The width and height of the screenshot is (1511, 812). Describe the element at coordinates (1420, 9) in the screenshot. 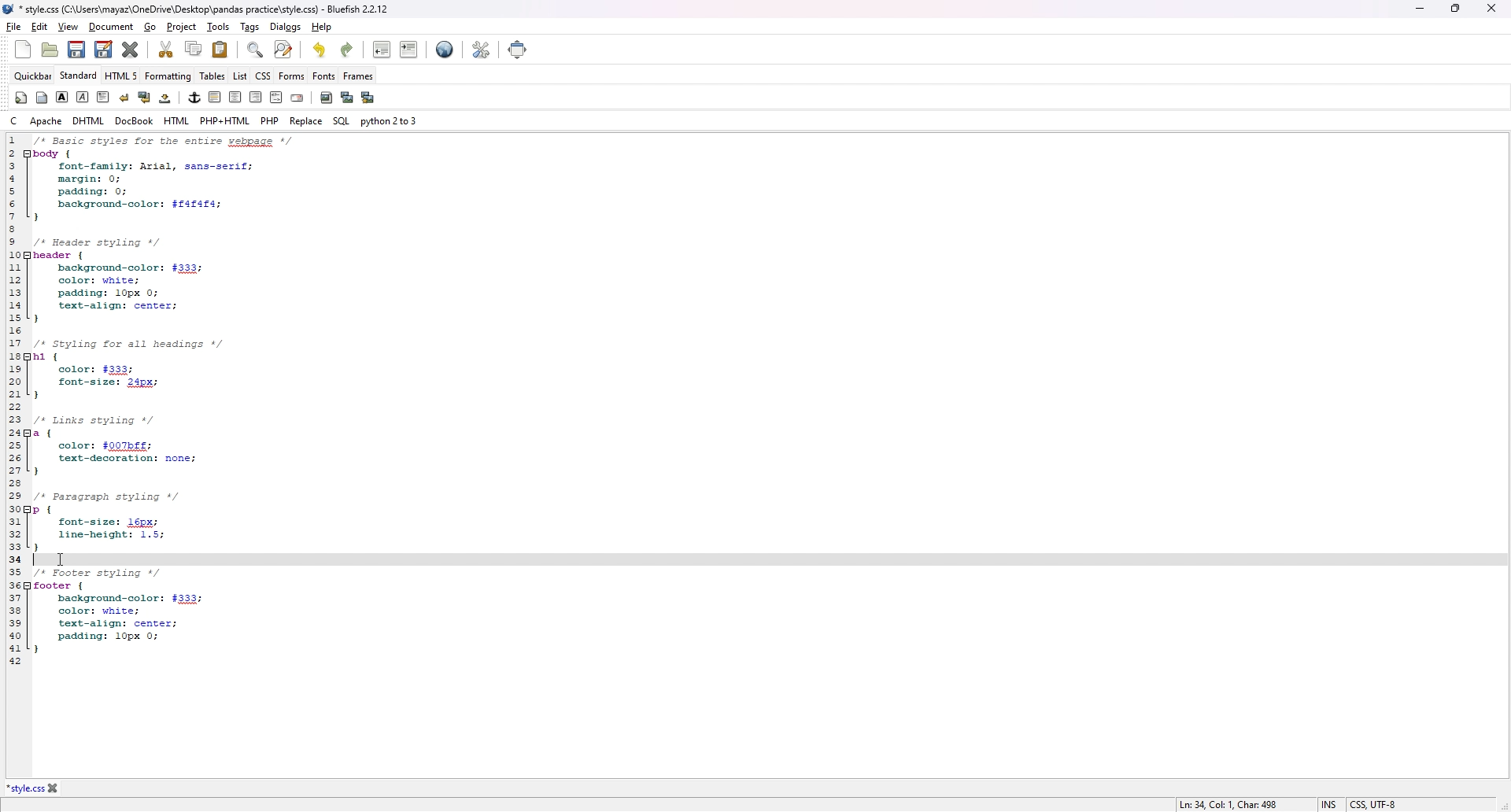

I see `minimize` at that location.